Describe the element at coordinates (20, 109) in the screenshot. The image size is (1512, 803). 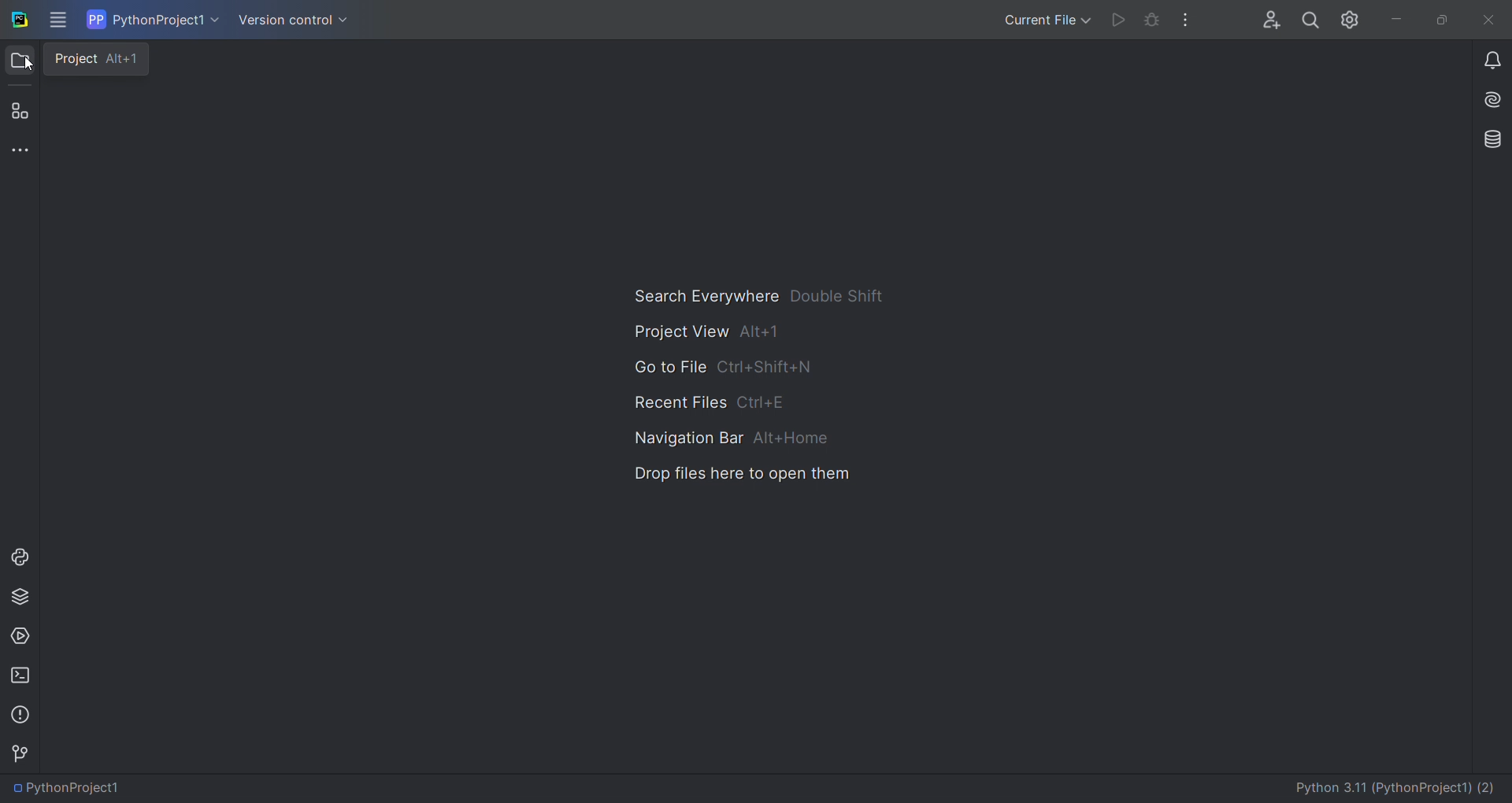
I see `structure` at that location.